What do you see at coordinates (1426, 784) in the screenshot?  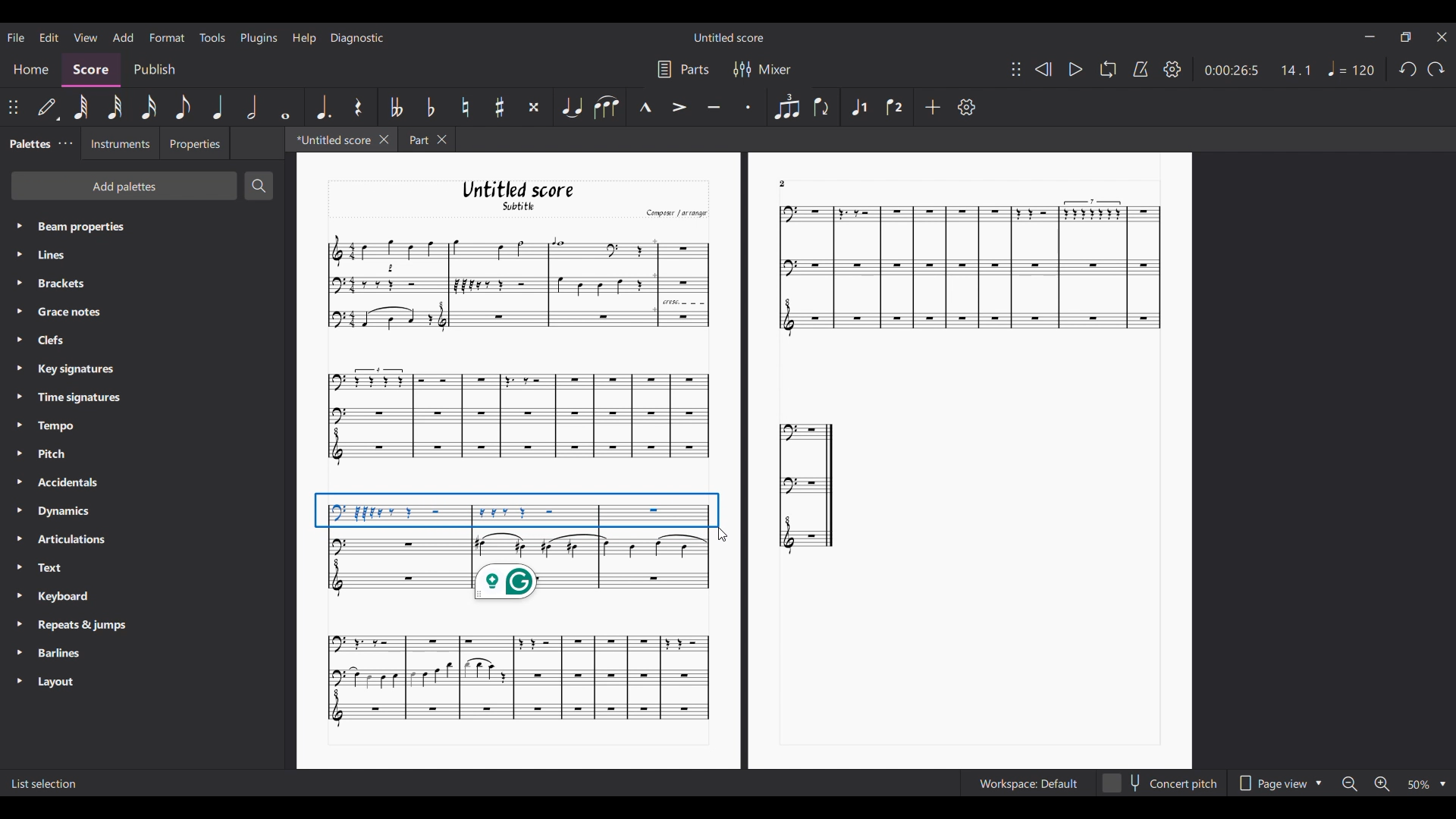 I see `50 %` at bounding box center [1426, 784].